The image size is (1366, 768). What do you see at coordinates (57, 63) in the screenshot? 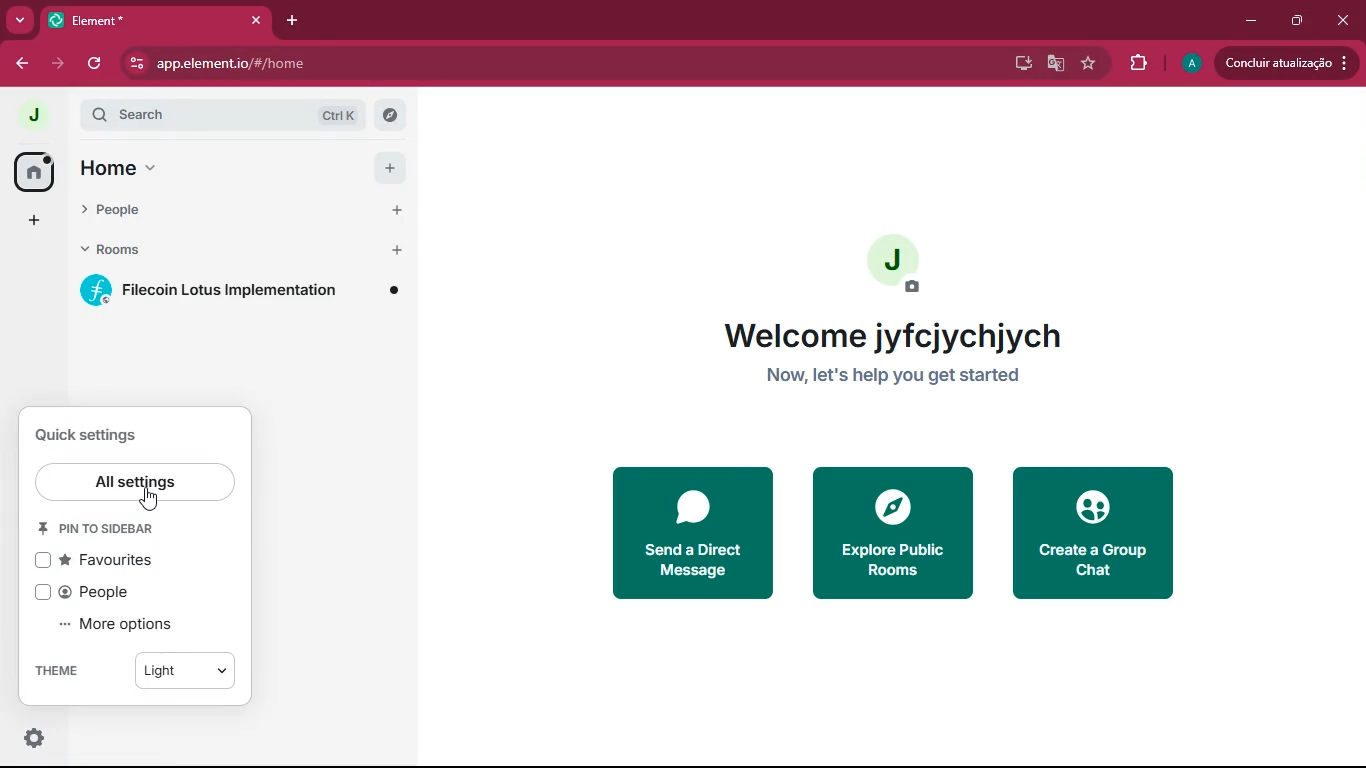
I see `forward` at bounding box center [57, 63].